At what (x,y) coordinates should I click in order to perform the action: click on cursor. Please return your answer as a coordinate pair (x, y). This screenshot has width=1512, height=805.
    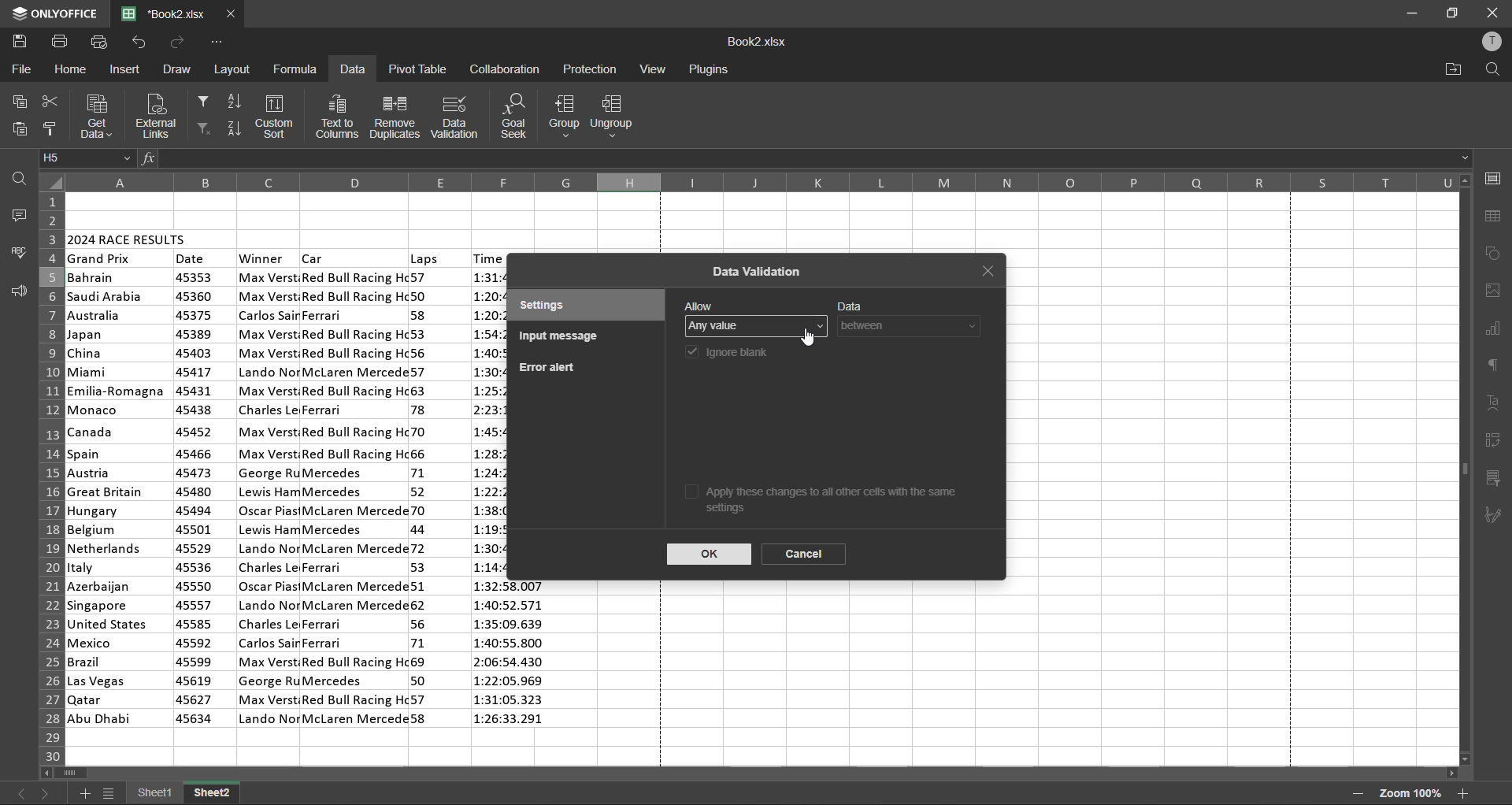
    Looking at the image, I should click on (809, 336).